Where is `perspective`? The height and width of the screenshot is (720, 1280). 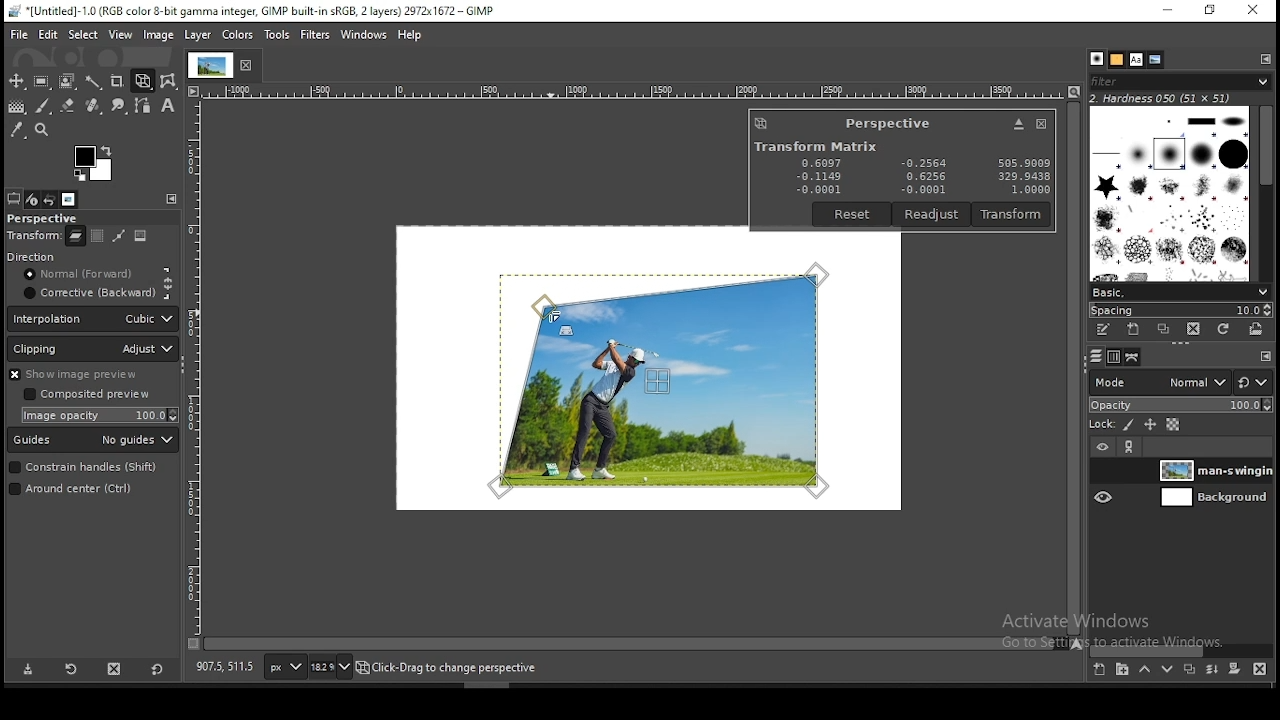 perspective is located at coordinates (888, 123).